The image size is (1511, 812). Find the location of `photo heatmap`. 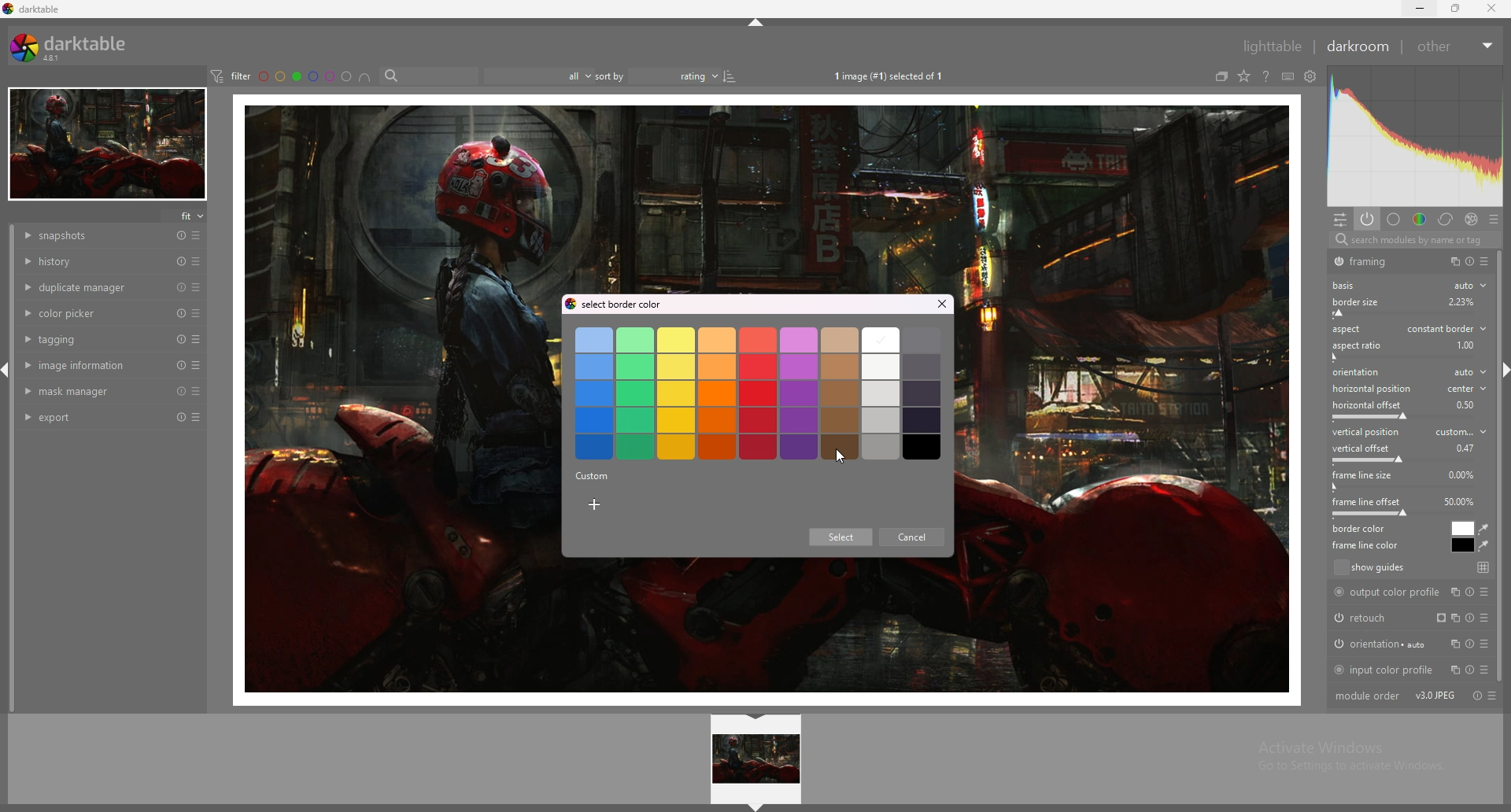

photo heatmap is located at coordinates (1416, 135).